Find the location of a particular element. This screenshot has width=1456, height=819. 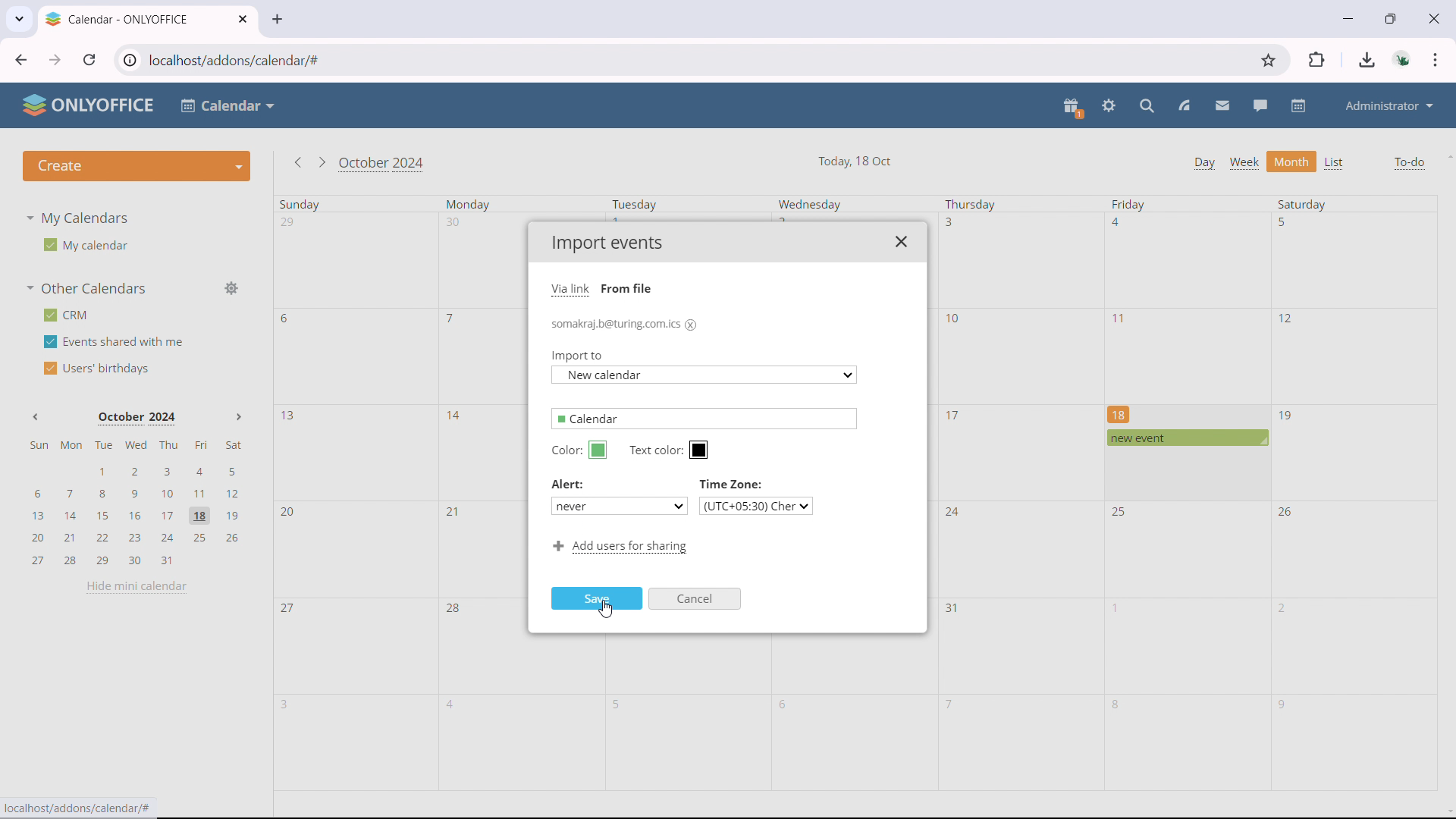

search is located at coordinates (1148, 106).